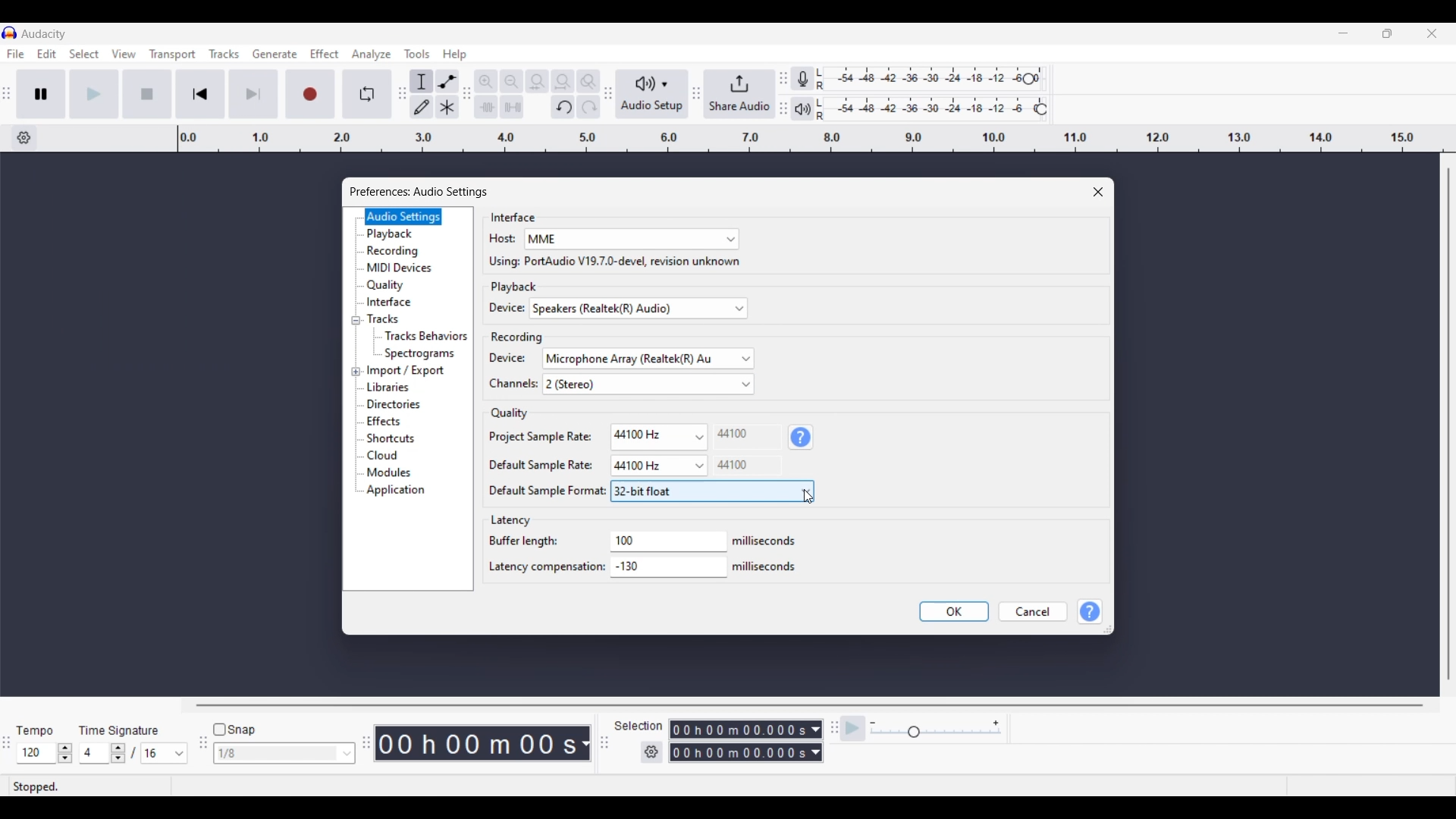  I want to click on Directories, so click(403, 404).